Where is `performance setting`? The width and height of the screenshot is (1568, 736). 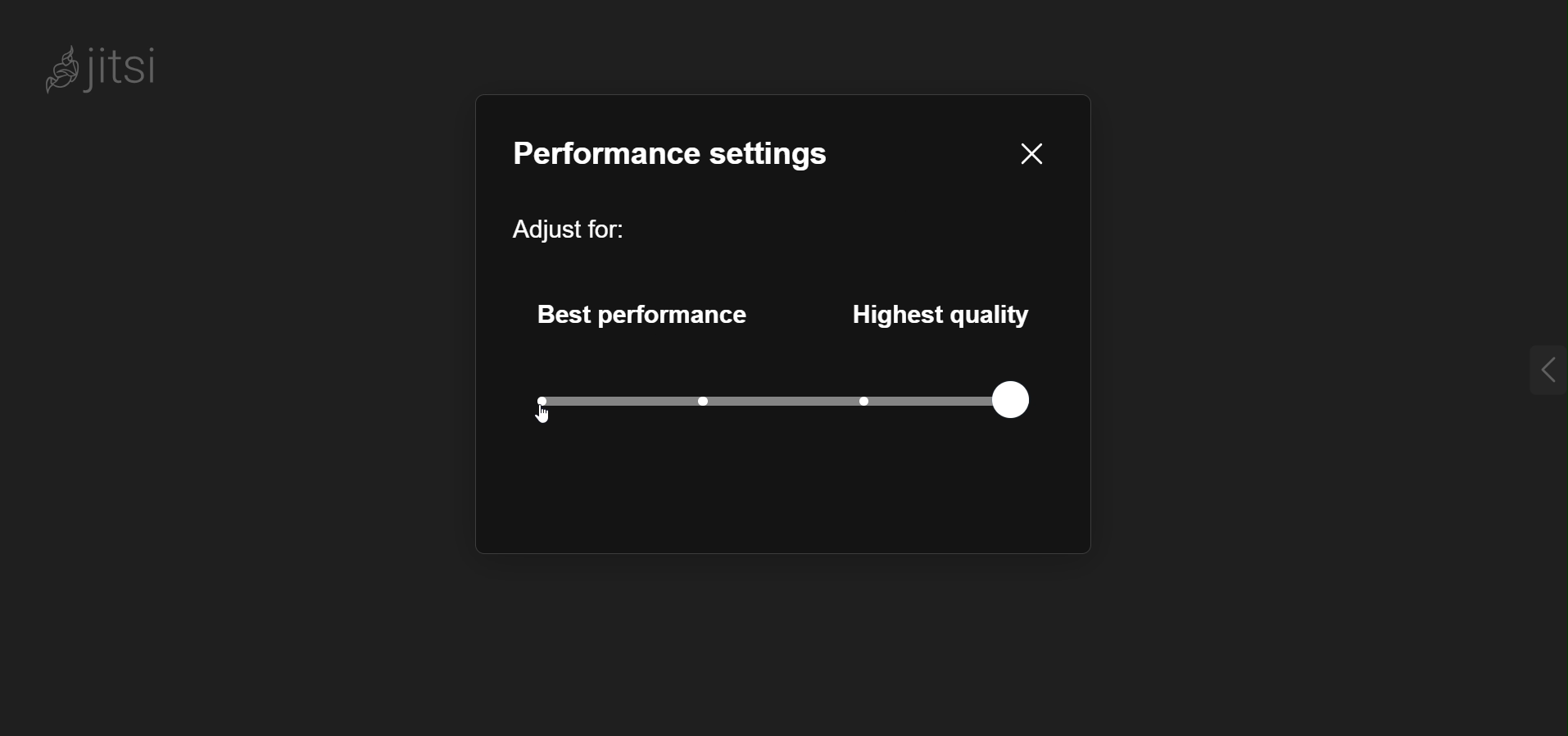 performance setting is located at coordinates (674, 152).